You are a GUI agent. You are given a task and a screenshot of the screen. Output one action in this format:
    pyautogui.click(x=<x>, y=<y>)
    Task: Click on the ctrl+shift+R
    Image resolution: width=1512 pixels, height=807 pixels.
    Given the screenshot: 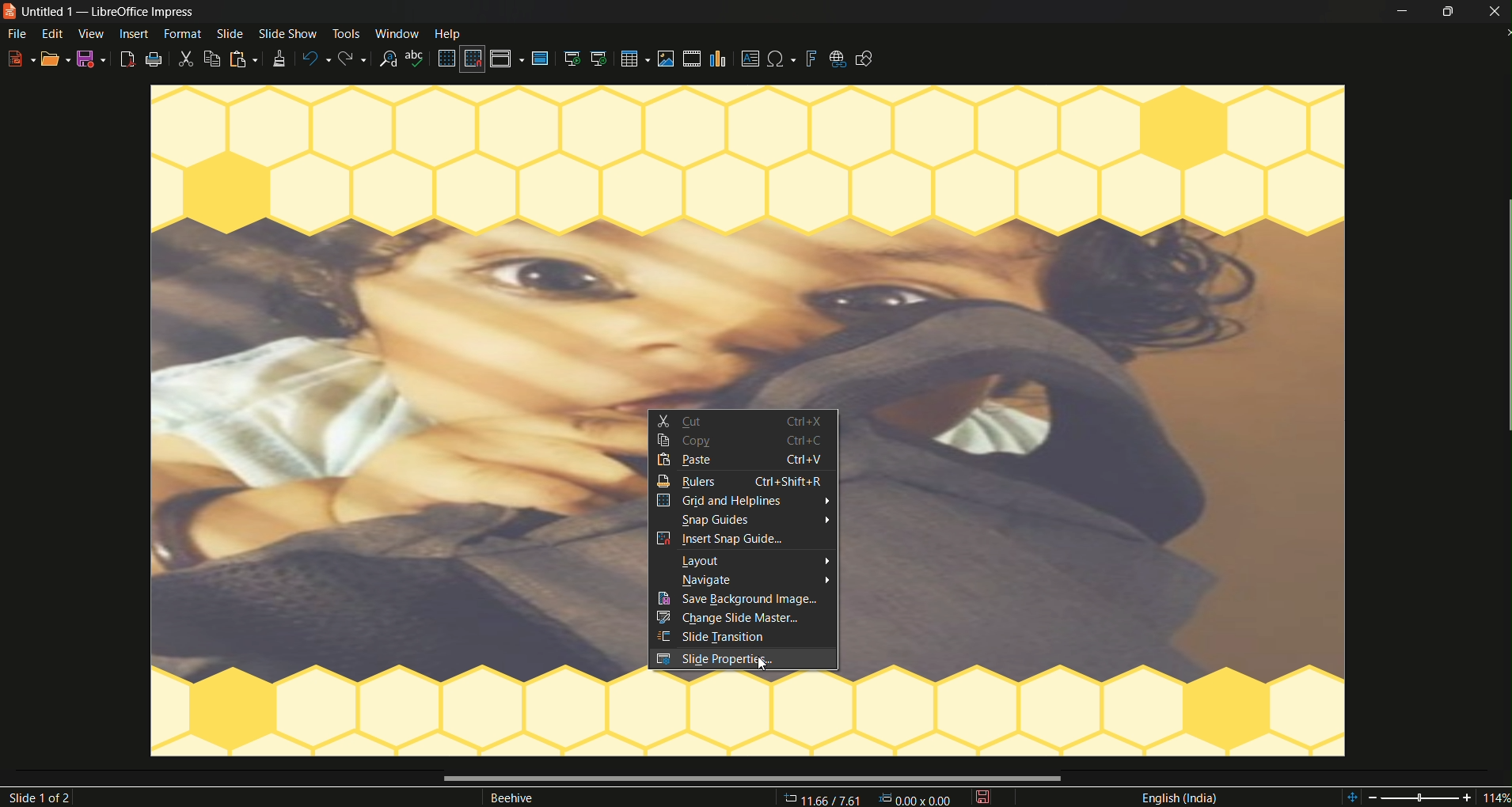 What is the action you would take?
    pyautogui.click(x=788, y=482)
    